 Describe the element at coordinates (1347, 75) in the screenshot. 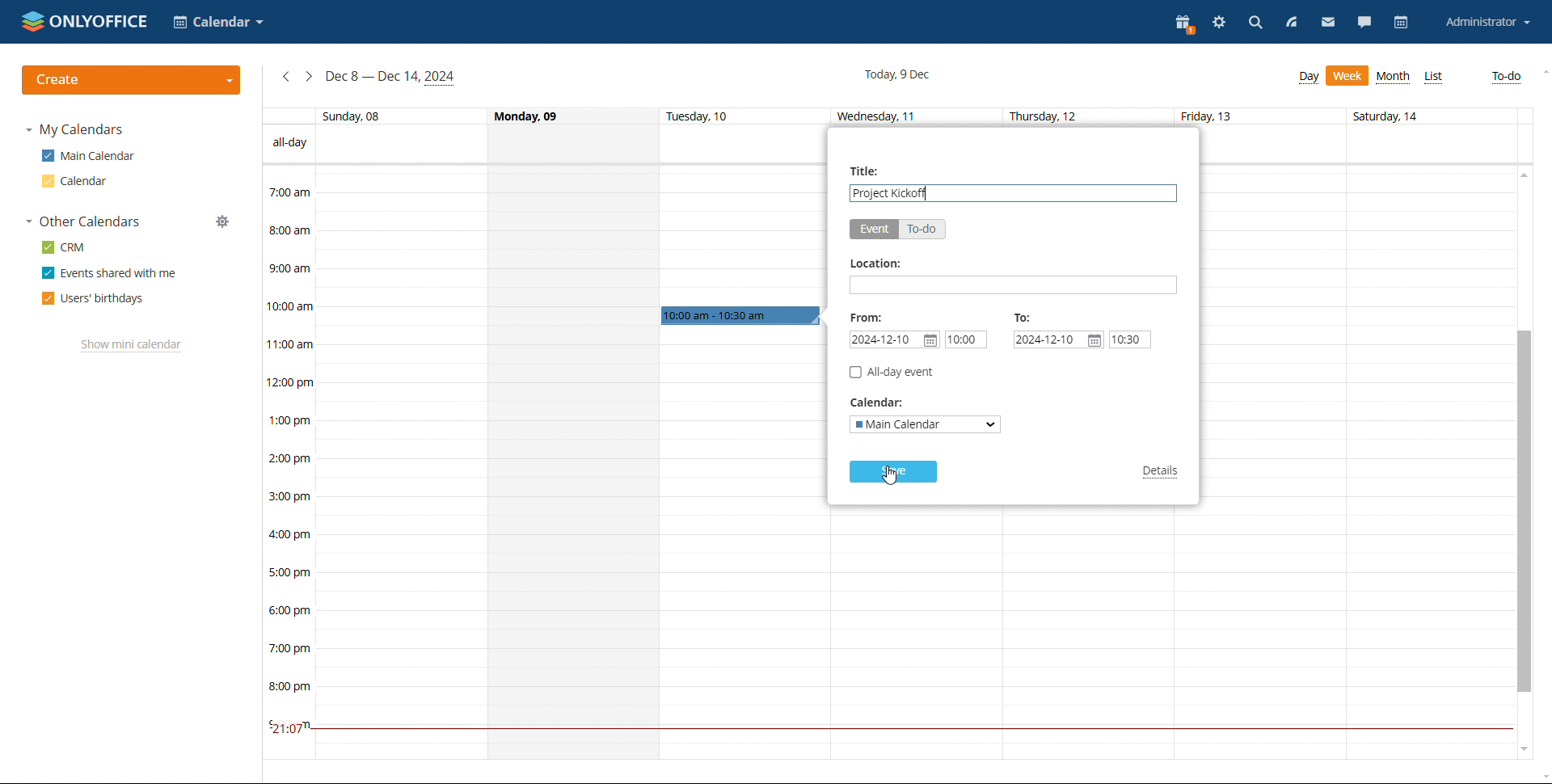

I see `week view` at that location.